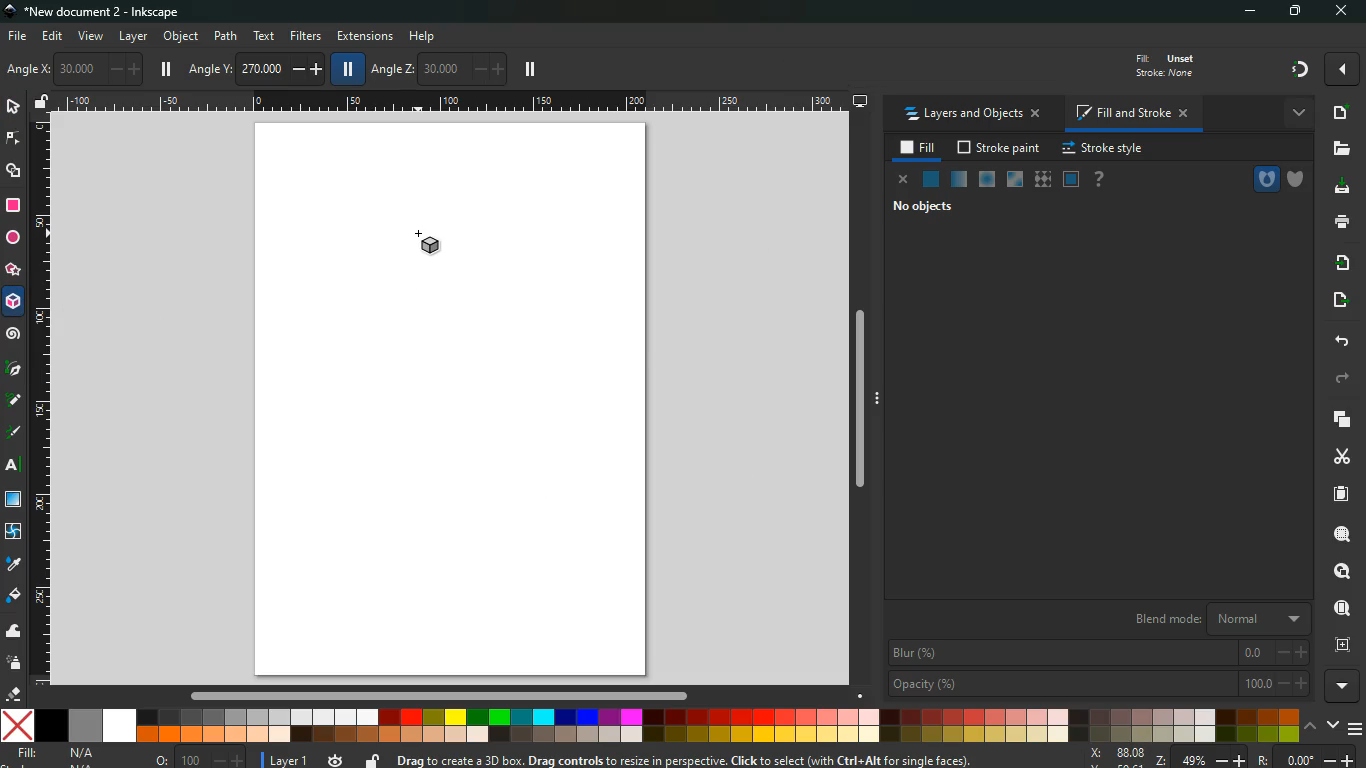  Describe the element at coordinates (14, 305) in the screenshot. I see `3d box tool` at that location.